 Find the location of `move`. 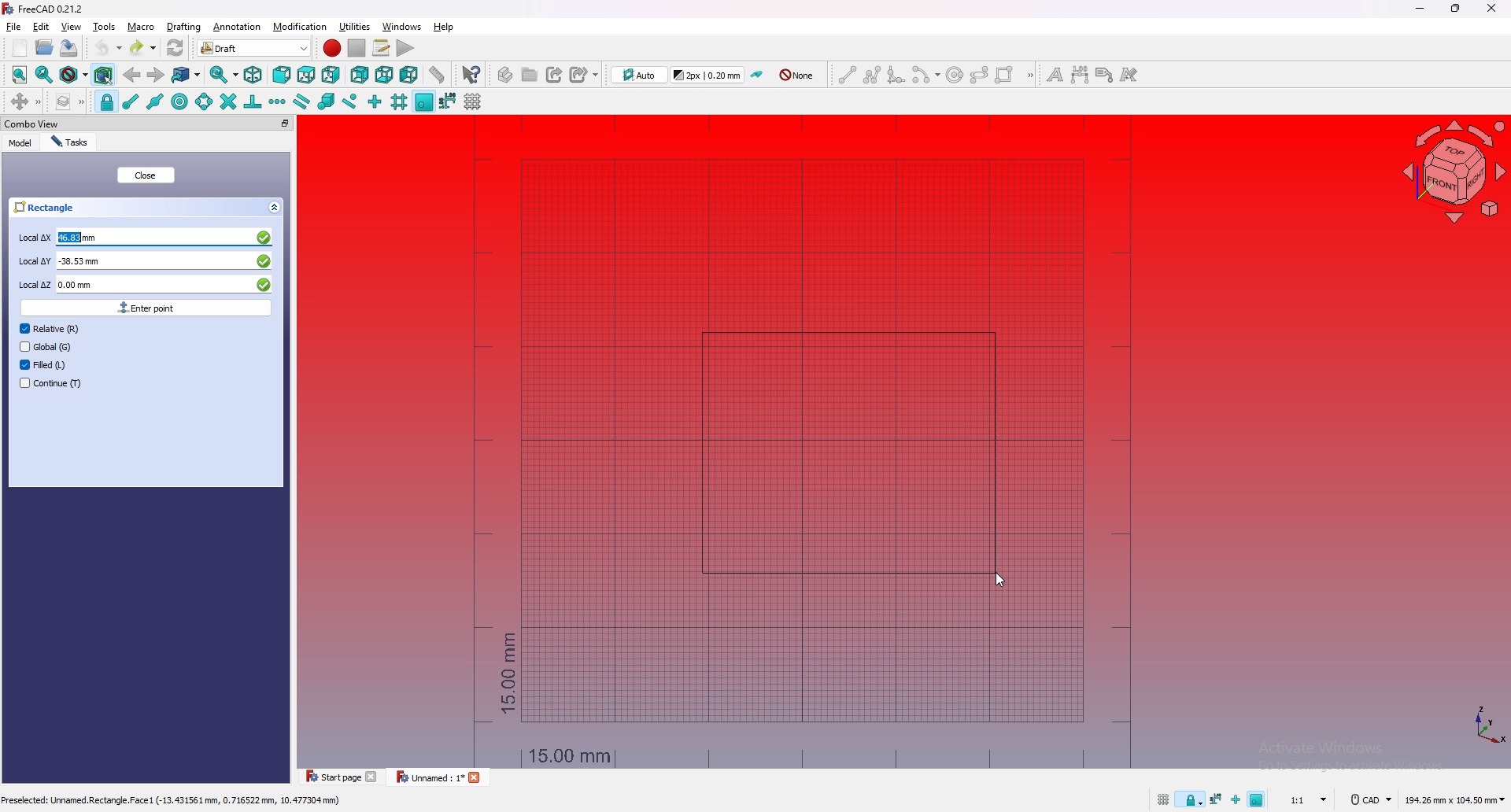

move is located at coordinates (24, 102).